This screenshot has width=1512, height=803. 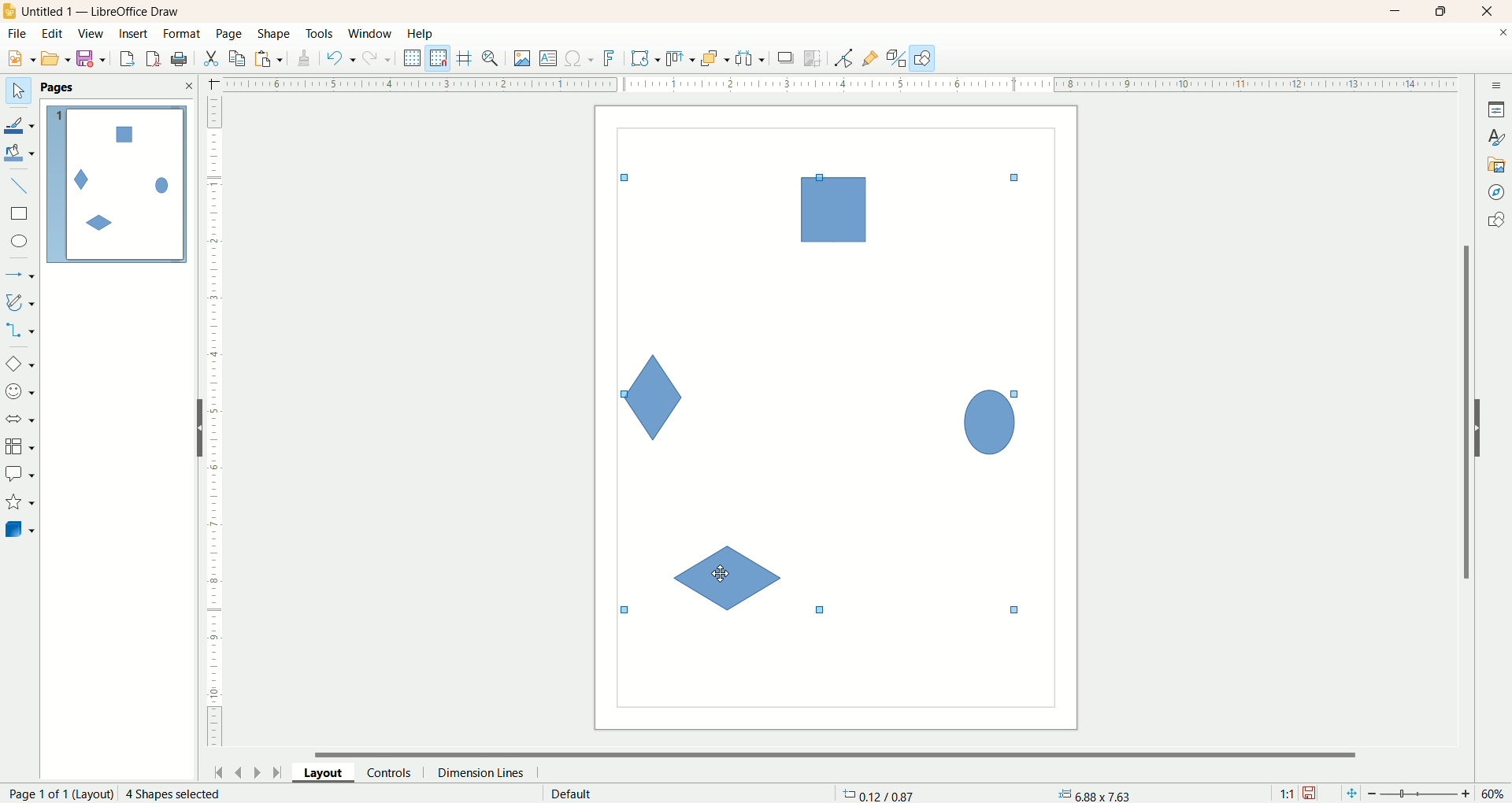 What do you see at coordinates (493, 58) in the screenshot?
I see `zo` at bounding box center [493, 58].